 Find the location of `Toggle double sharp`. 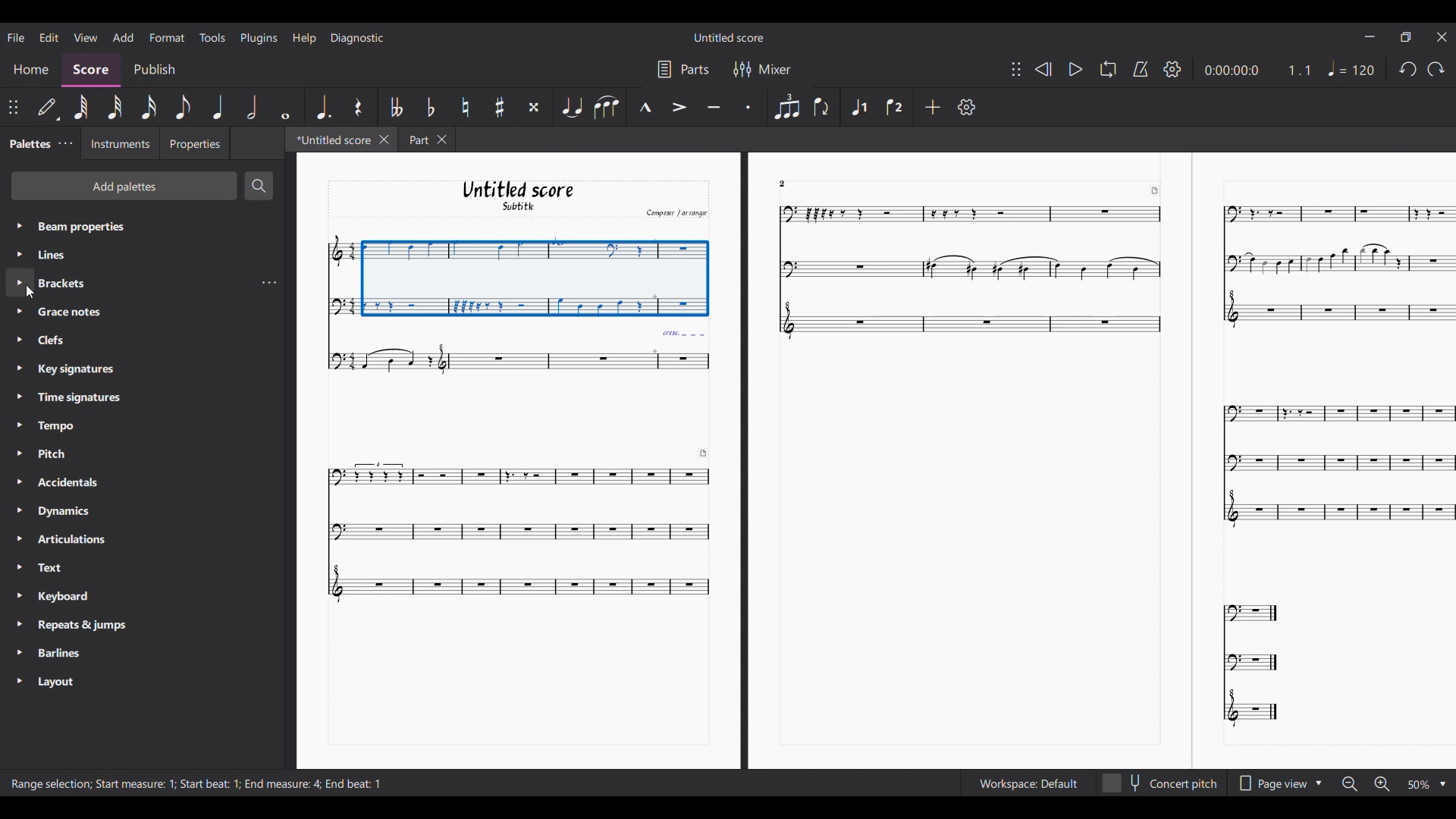

Toggle double sharp is located at coordinates (533, 106).